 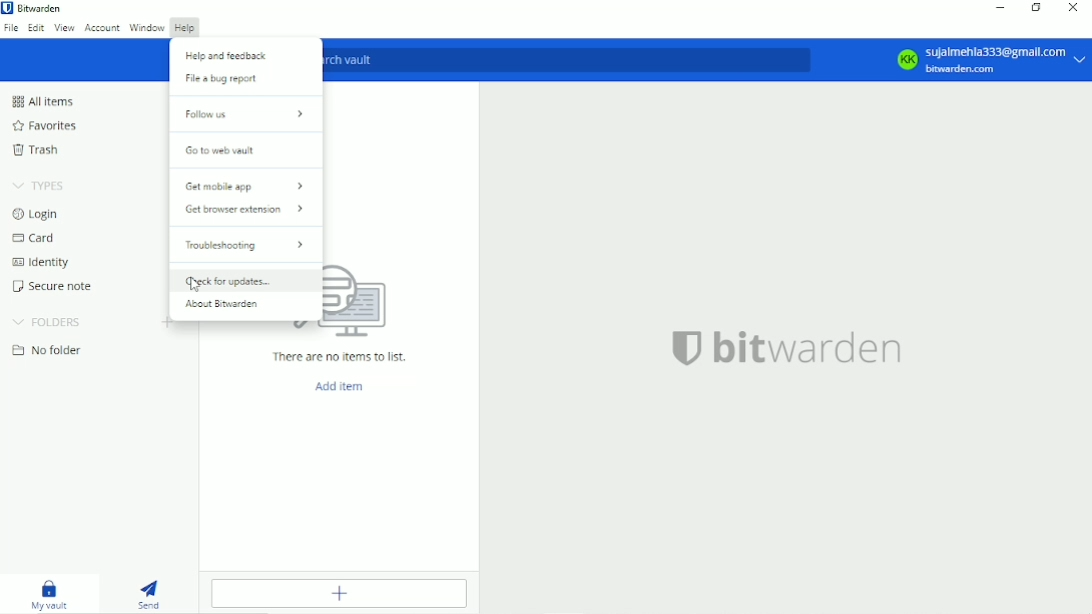 I want to click on Add item, so click(x=341, y=593).